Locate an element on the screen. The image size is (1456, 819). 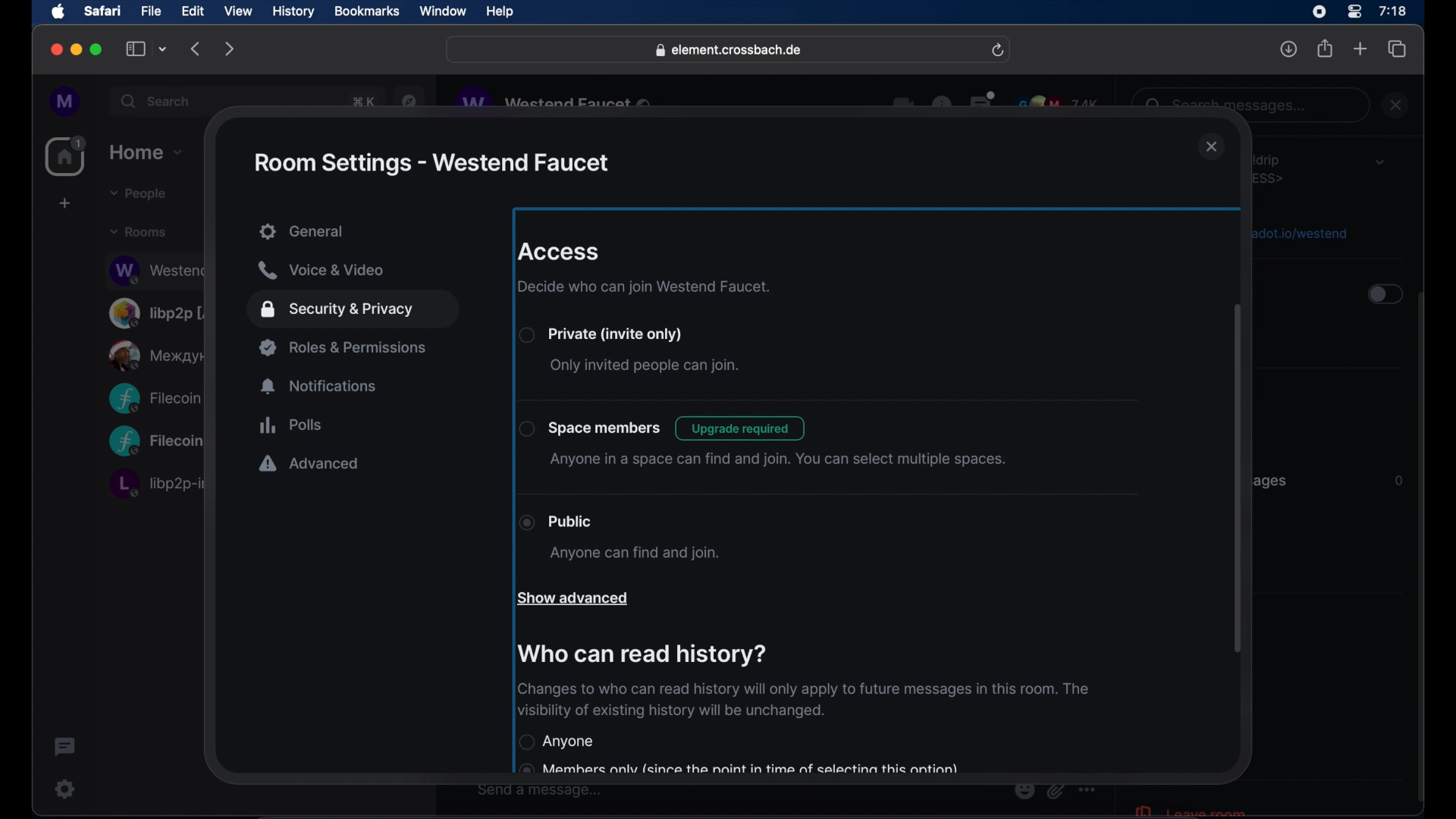
history is located at coordinates (293, 12).